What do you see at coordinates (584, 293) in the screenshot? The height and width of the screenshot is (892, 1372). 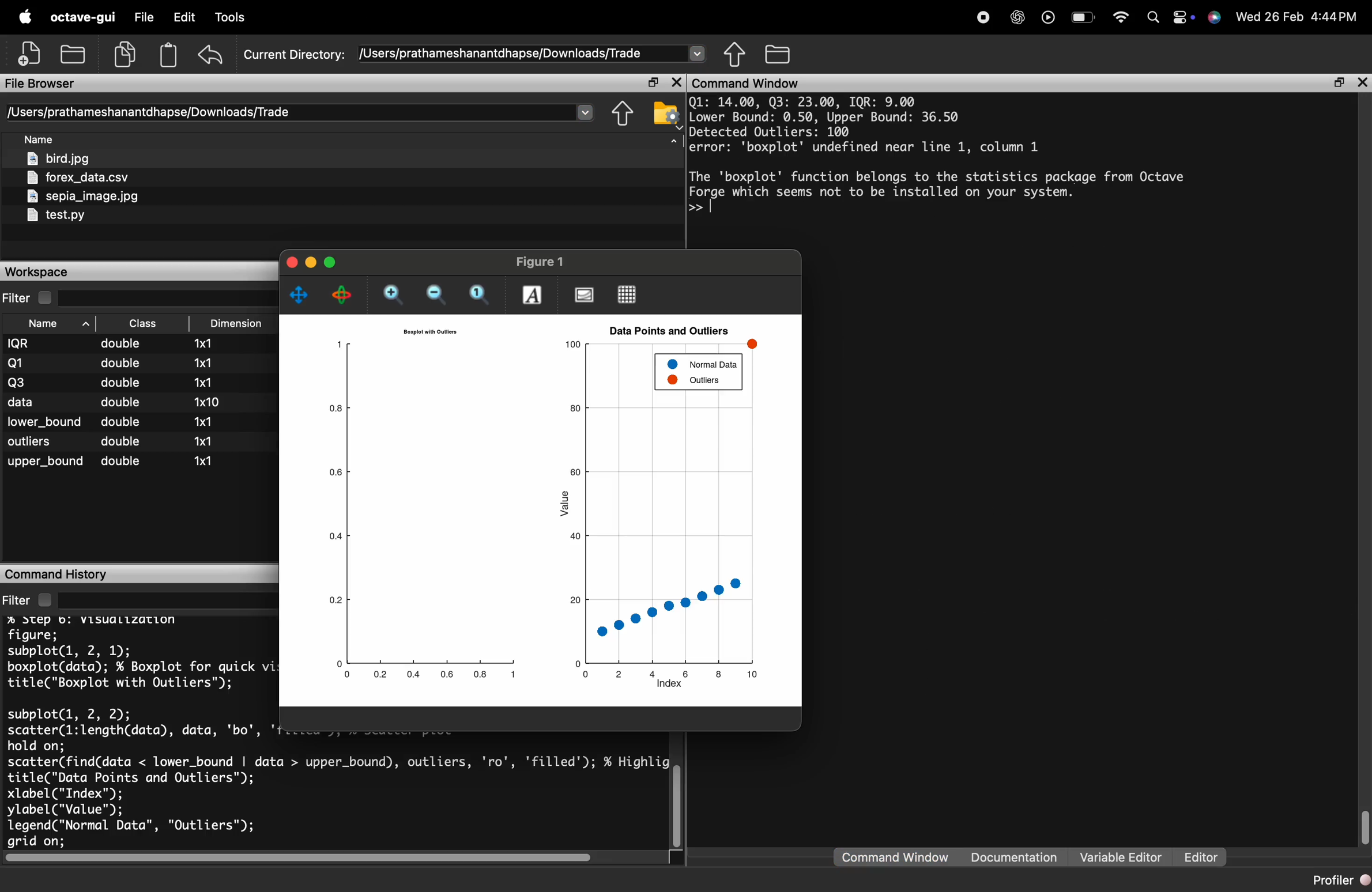 I see `Toggle current axes visibility` at bounding box center [584, 293].